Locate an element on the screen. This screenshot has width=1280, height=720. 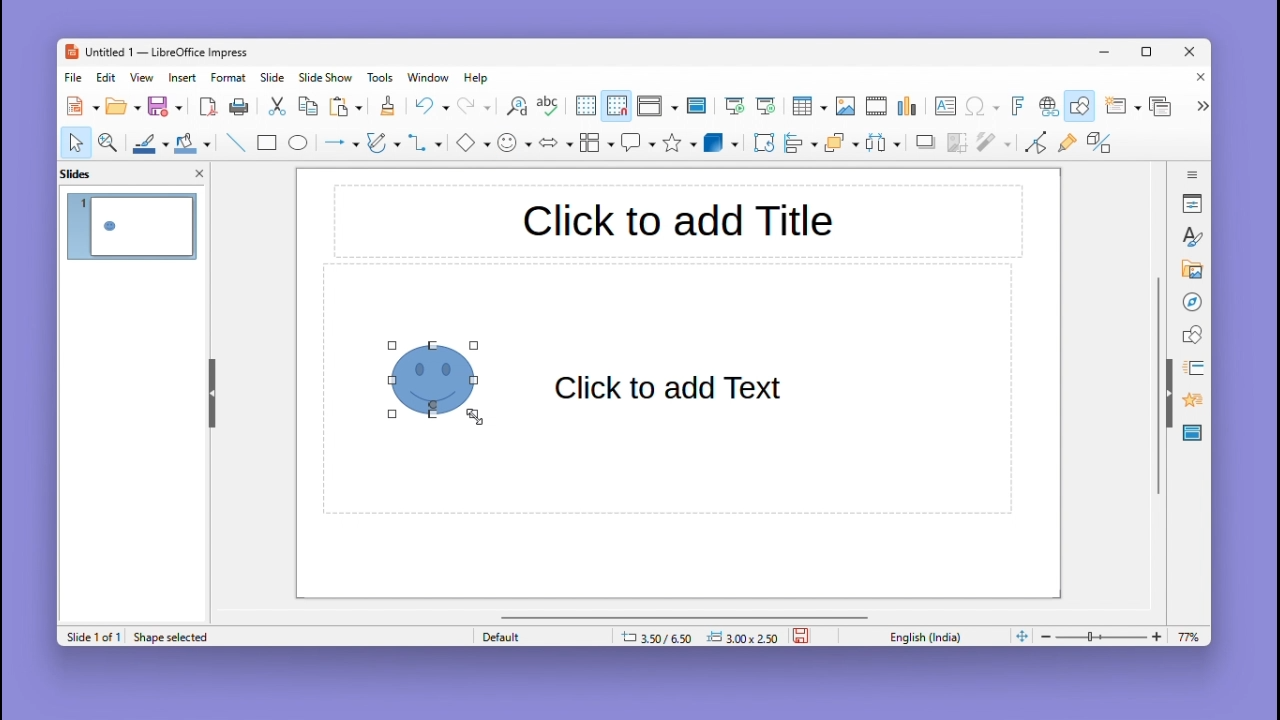
Align is located at coordinates (800, 143).